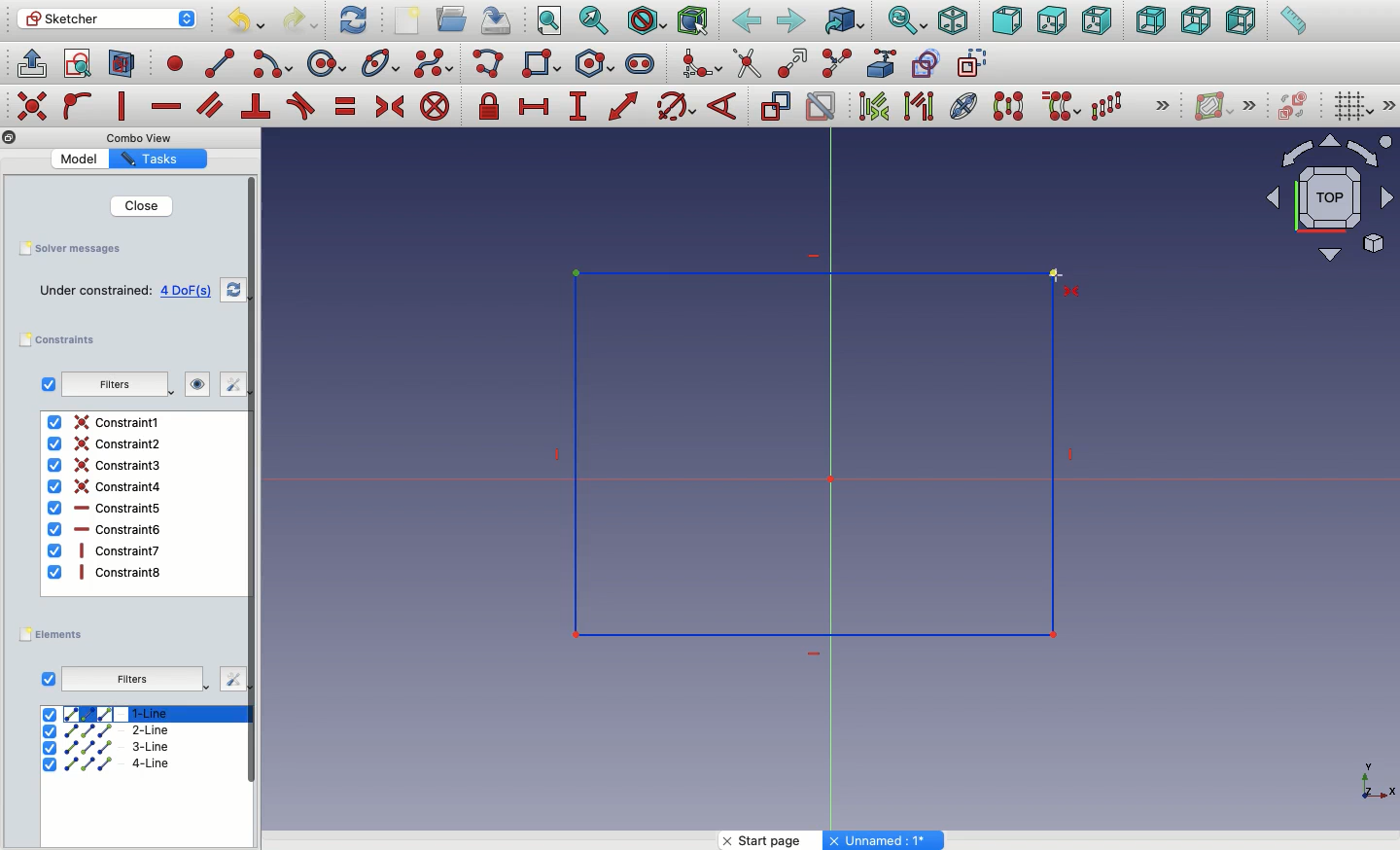 The image size is (1400, 850). Describe the element at coordinates (382, 64) in the screenshot. I see `Conic` at that location.